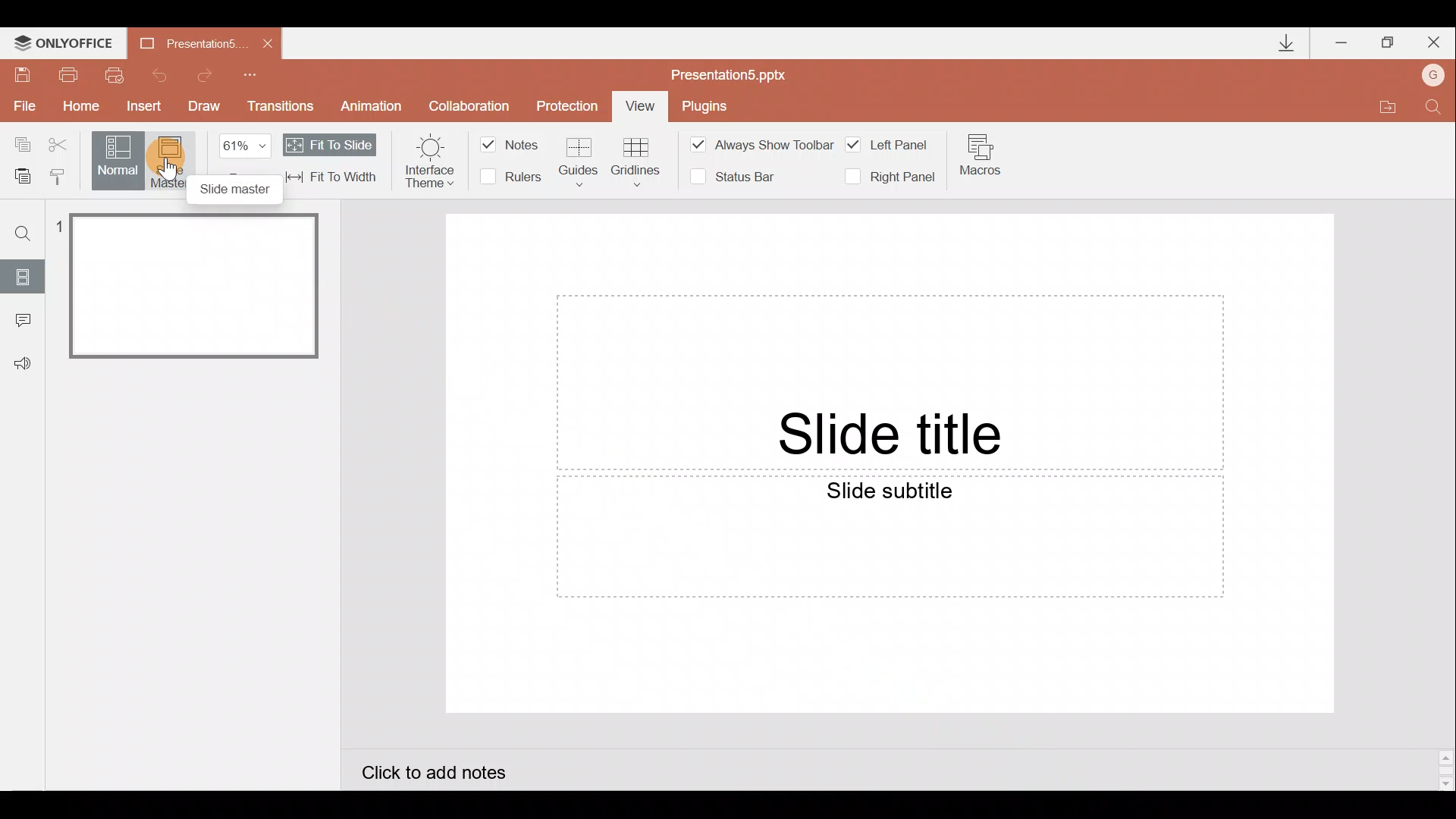 The width and height of the screenshot is (1456, 819). Describe the element at coordinates (119, 158) in the screenshot. I see `Normal` at that location.